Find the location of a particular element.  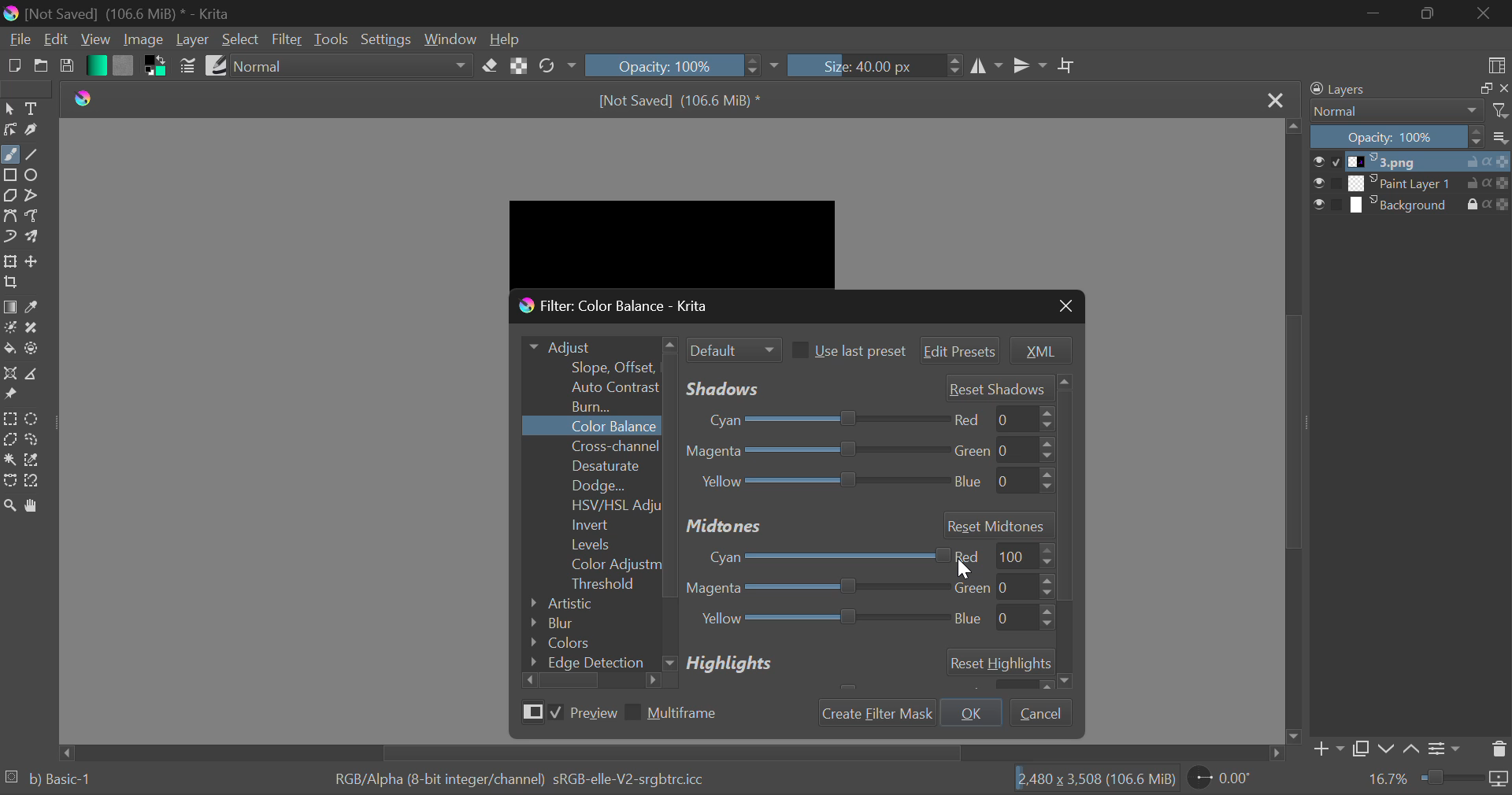

Tools is located at coordinates (332, 41).